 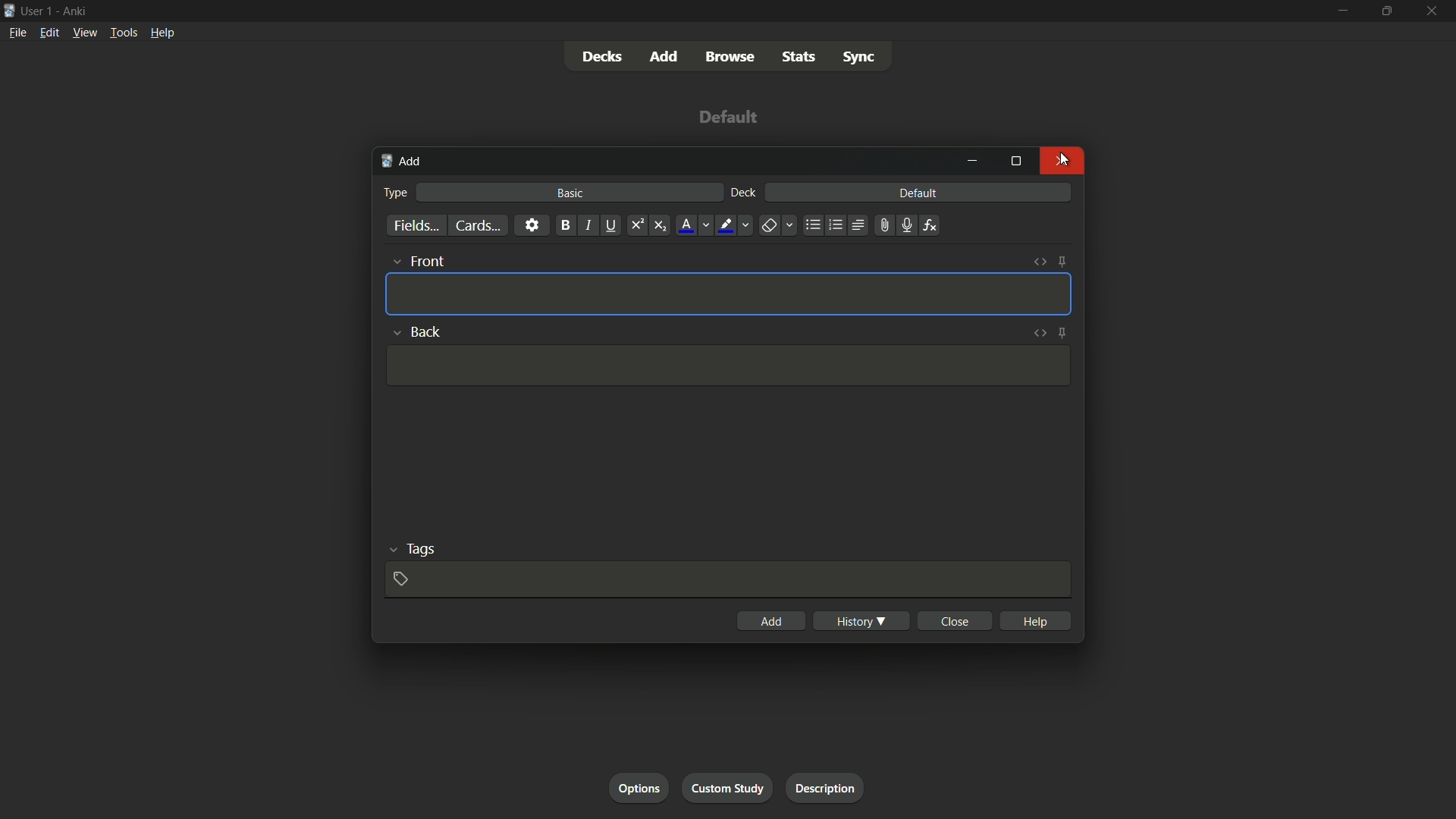 What do you see at coordinates (861, 620) in the screenshot?
I see `history` at bounding box center [861, 620].